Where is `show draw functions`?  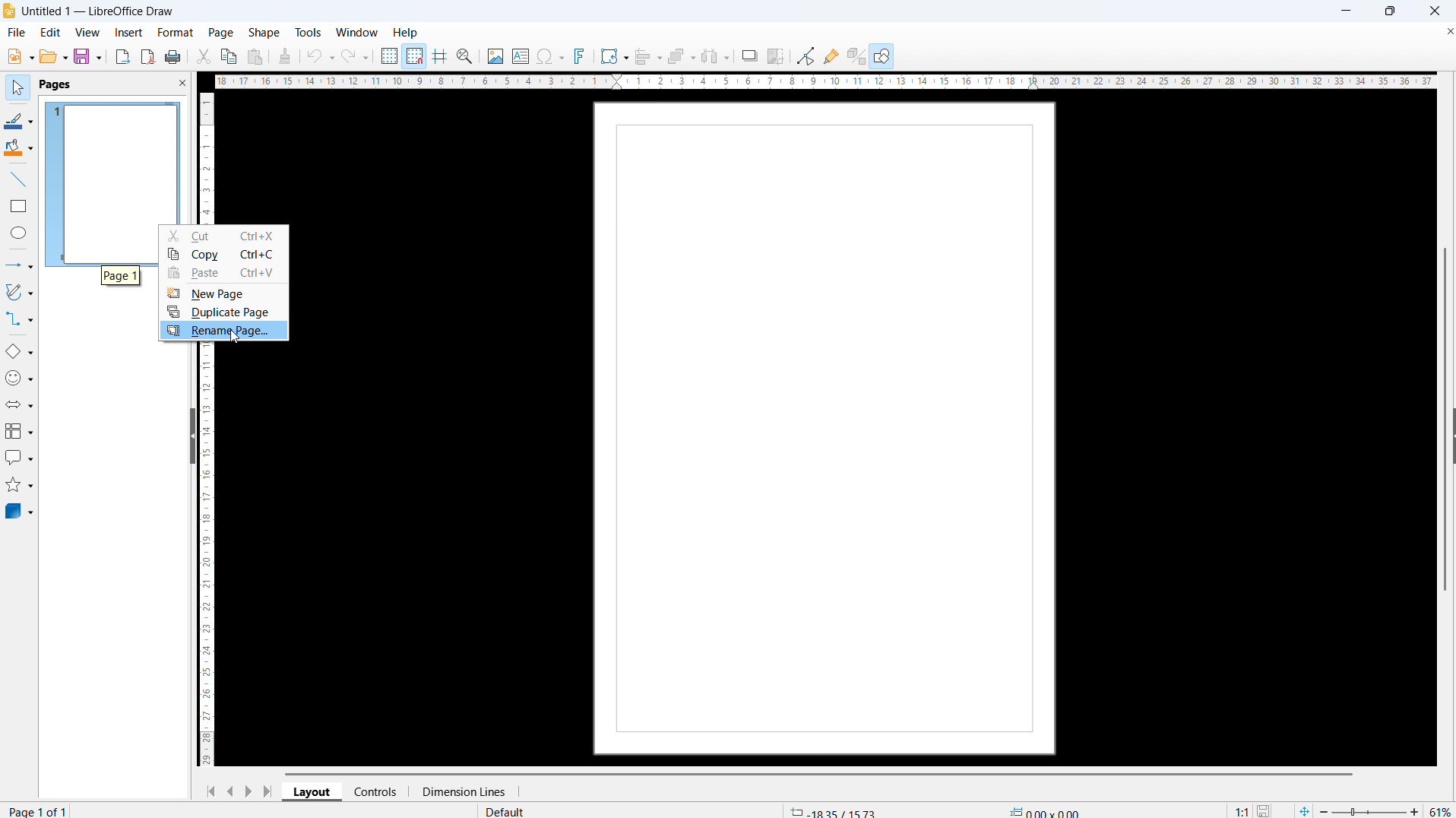 show draw functions is located at coordinates (883, 56).